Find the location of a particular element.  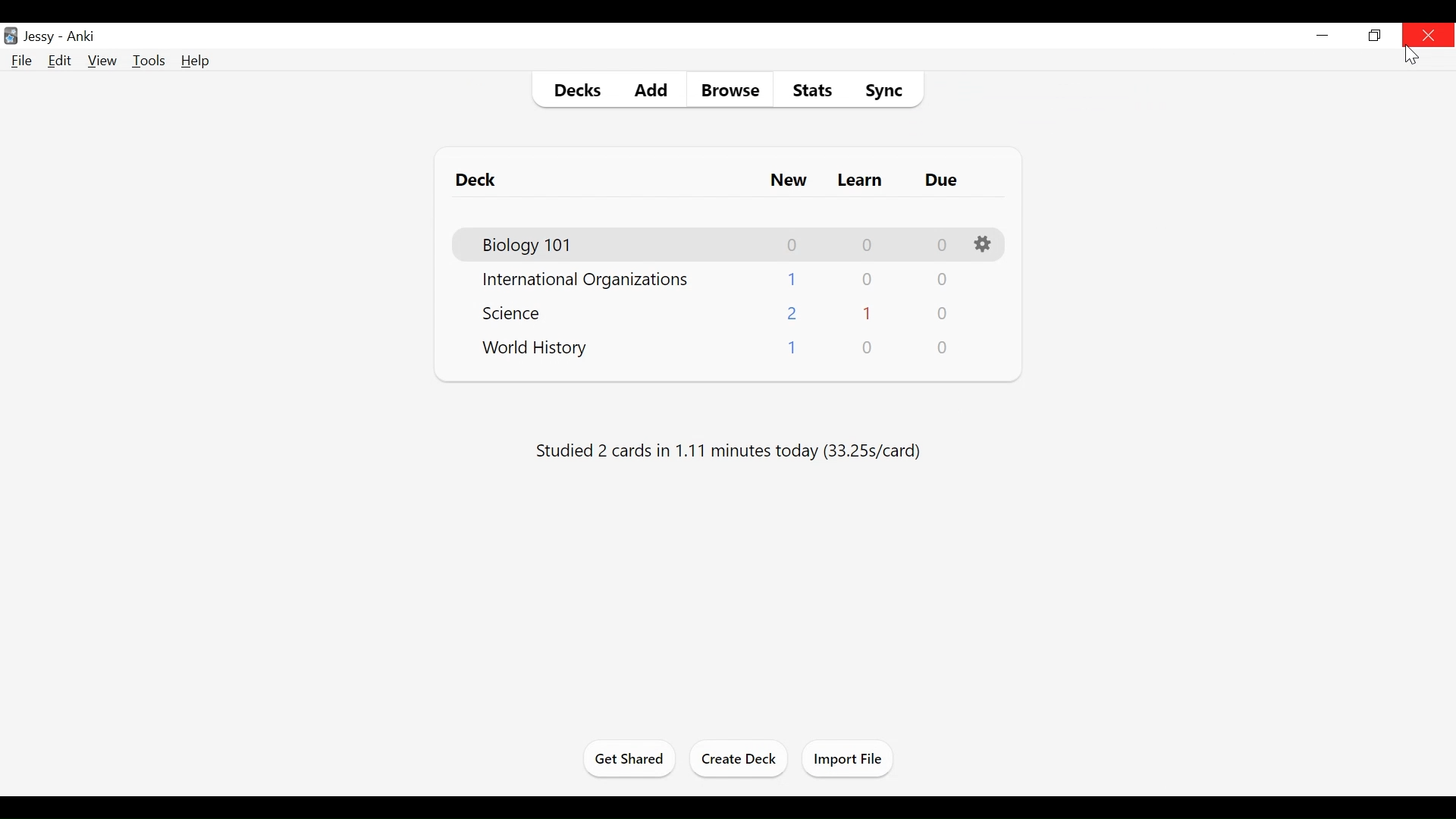

Deck Name is located at coordinates (535, 348).